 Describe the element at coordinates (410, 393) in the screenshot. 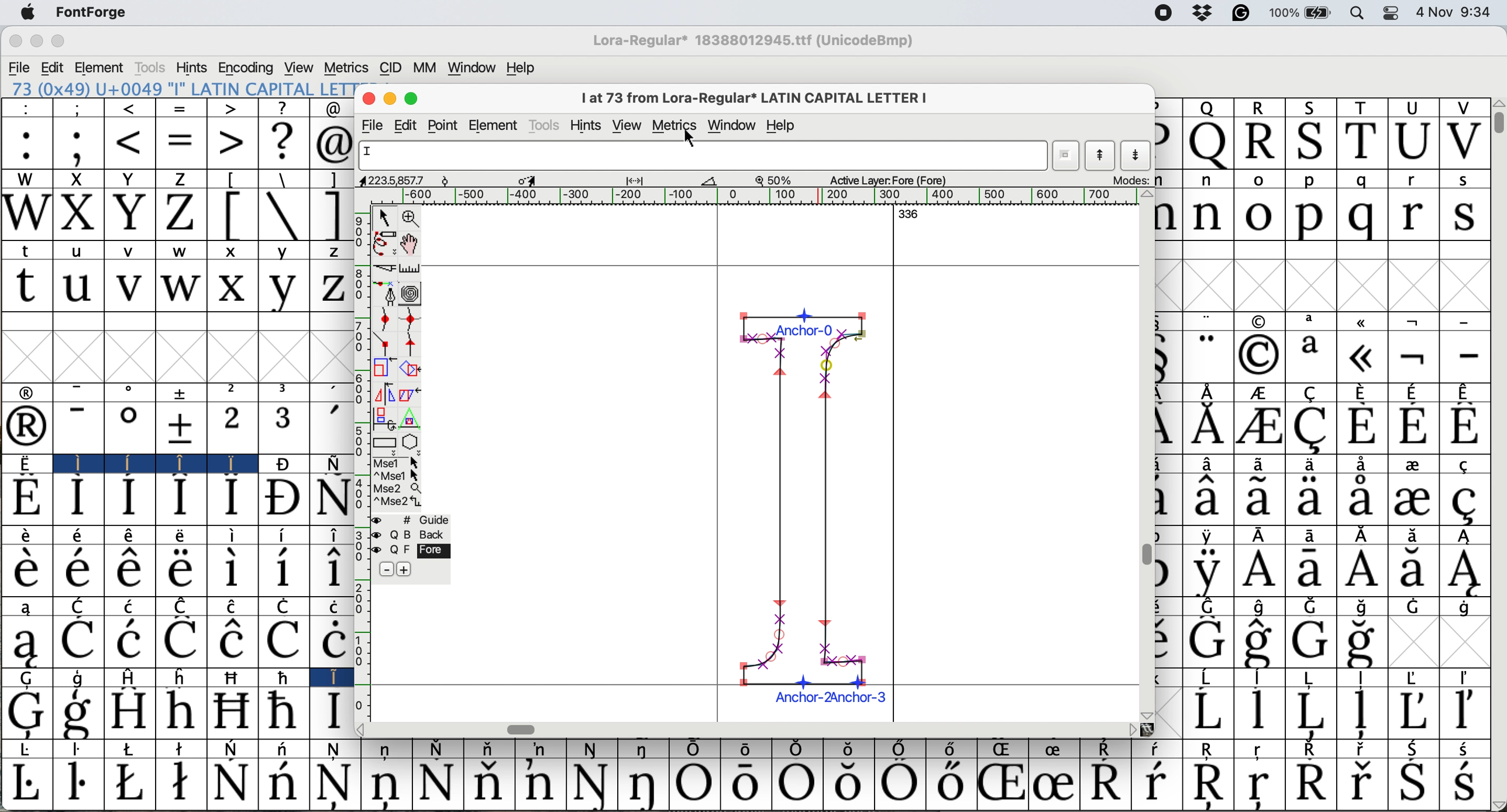

I see `skew the selection` at that location.